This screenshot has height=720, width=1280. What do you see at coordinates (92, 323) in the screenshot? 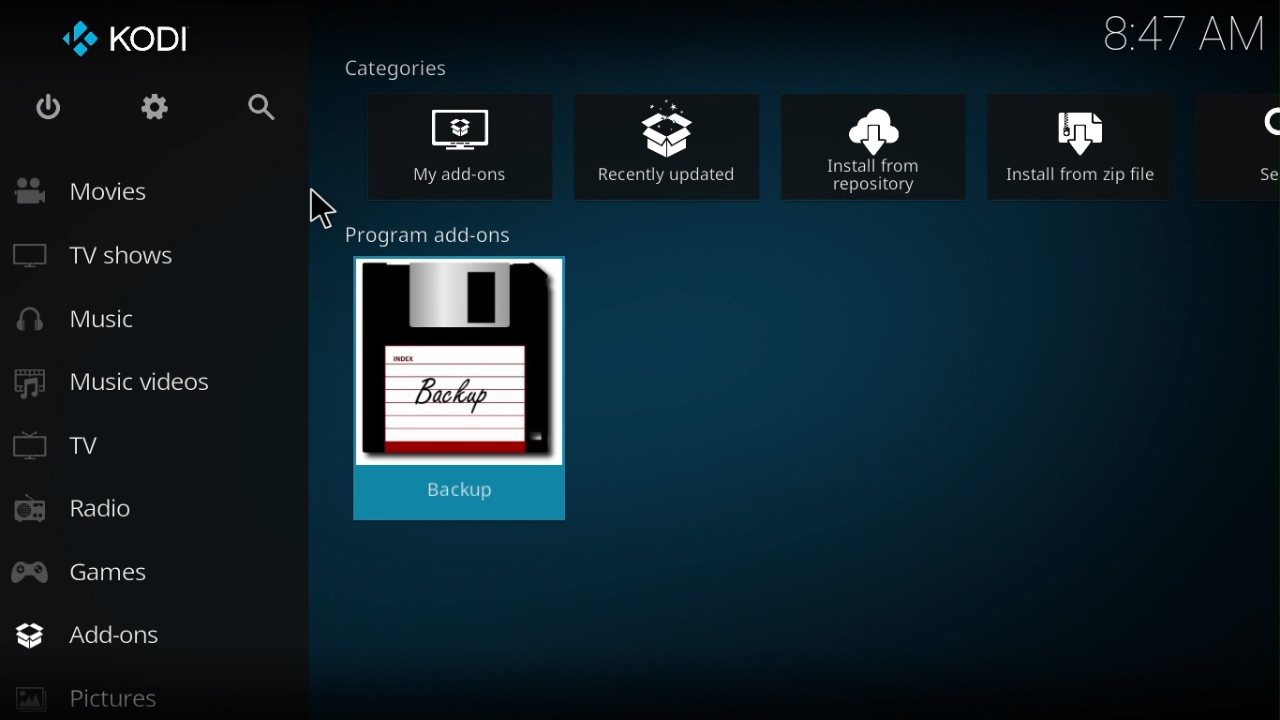
I see `Music` at bounding box center [92, 323].